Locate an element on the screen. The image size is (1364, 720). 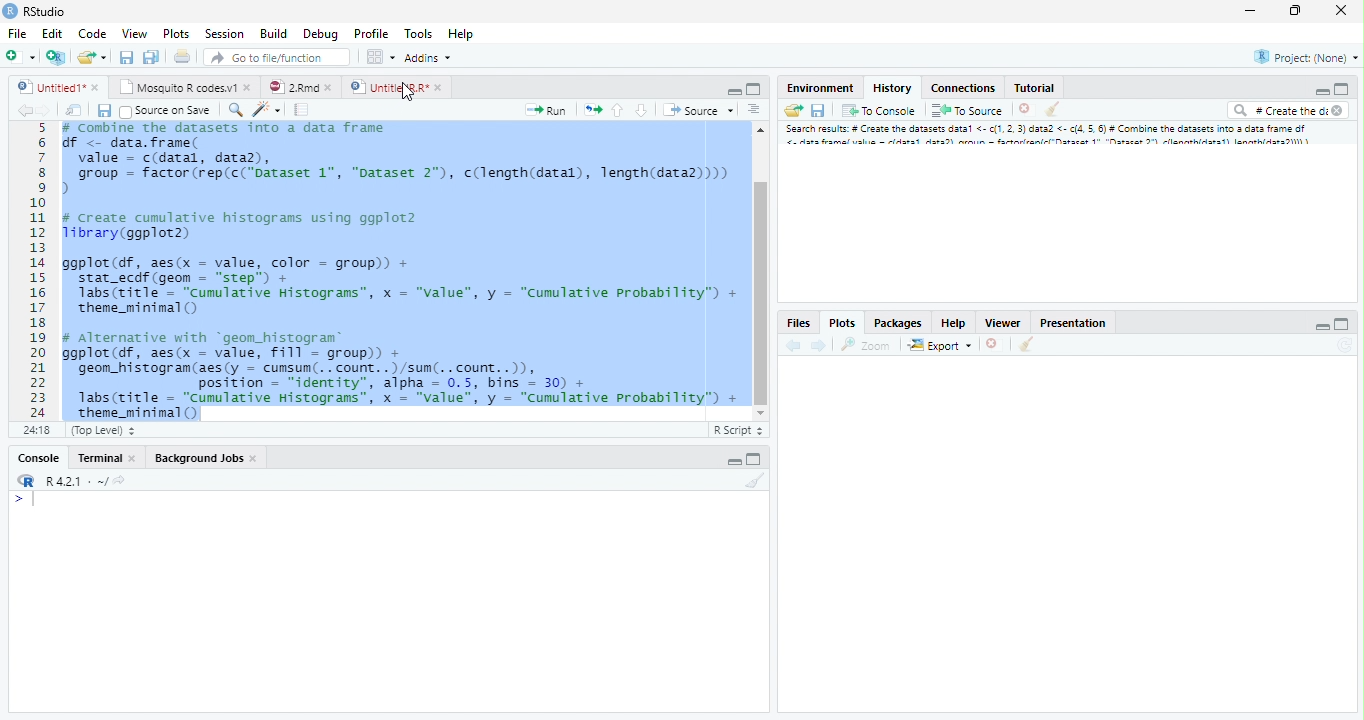
Zoom is located at coordinates (235, 112).